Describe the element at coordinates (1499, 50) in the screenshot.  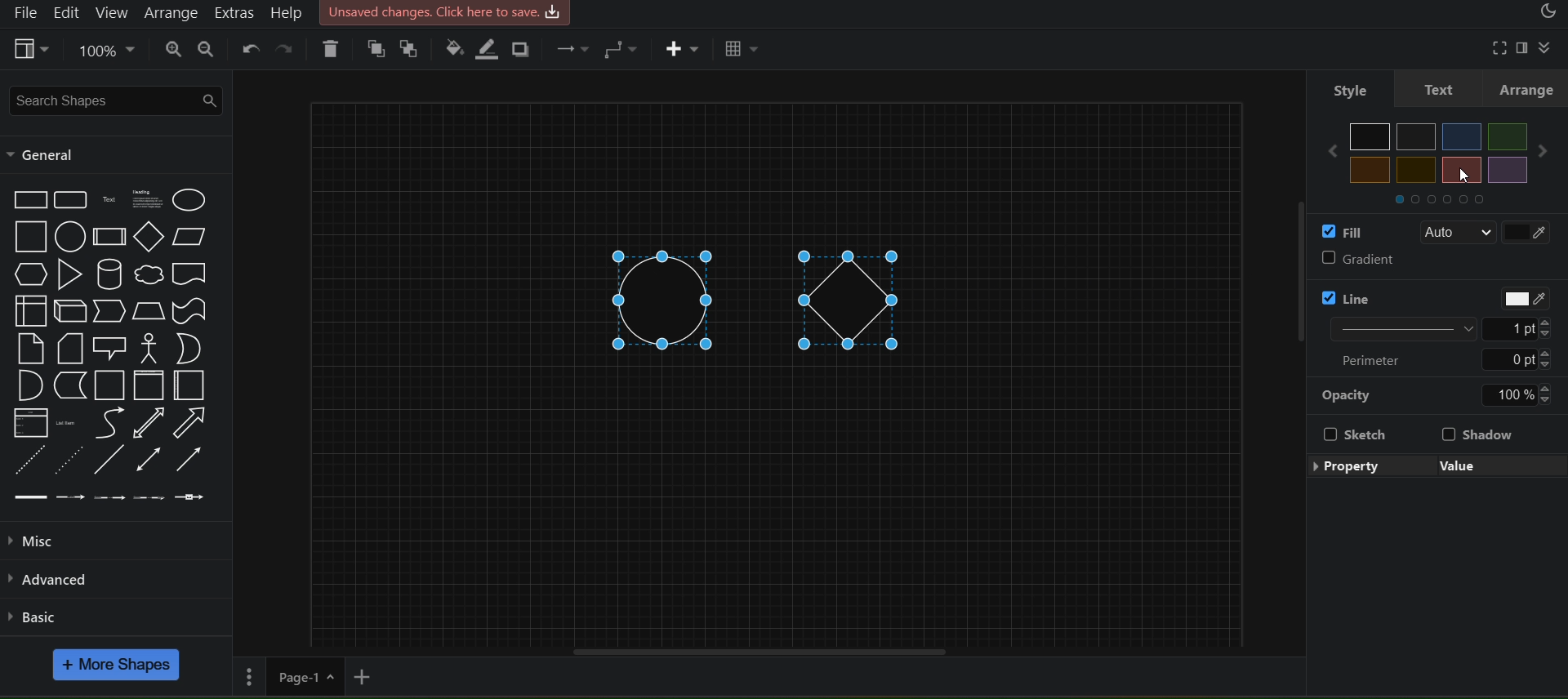
I see `fullscreen` at that location.